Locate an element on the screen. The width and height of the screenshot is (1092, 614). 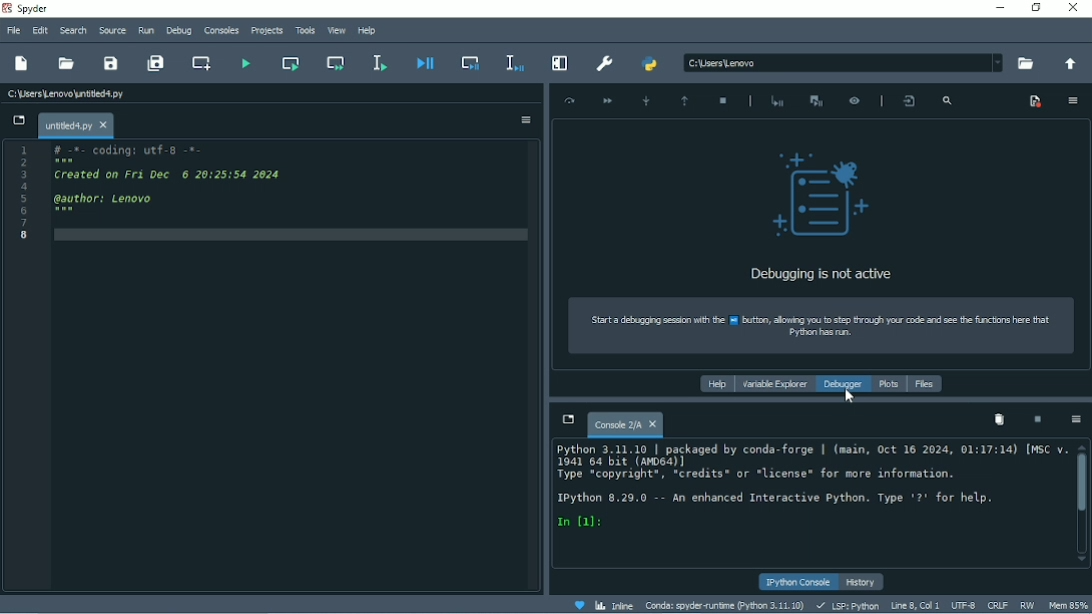
C:\sers\Lenovo untitedd.oy is located at coordinates (93, 94).